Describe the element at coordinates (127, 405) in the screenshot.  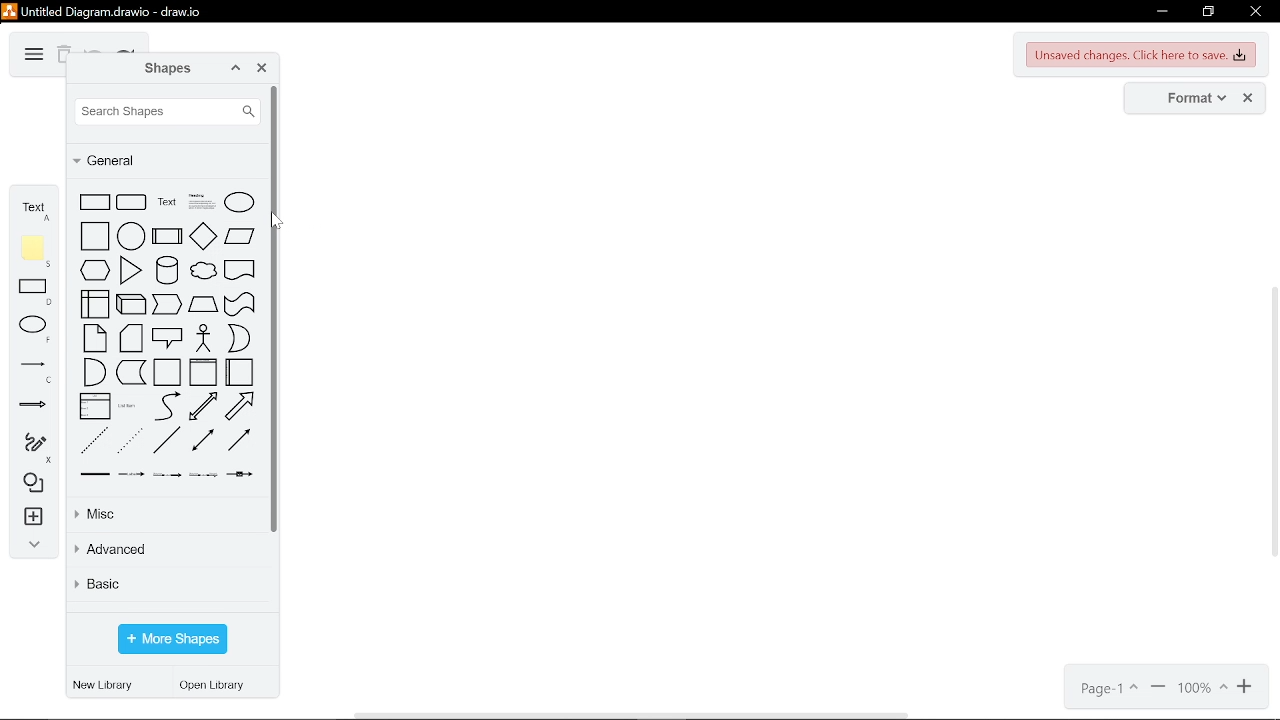
I see `list item` at that location.